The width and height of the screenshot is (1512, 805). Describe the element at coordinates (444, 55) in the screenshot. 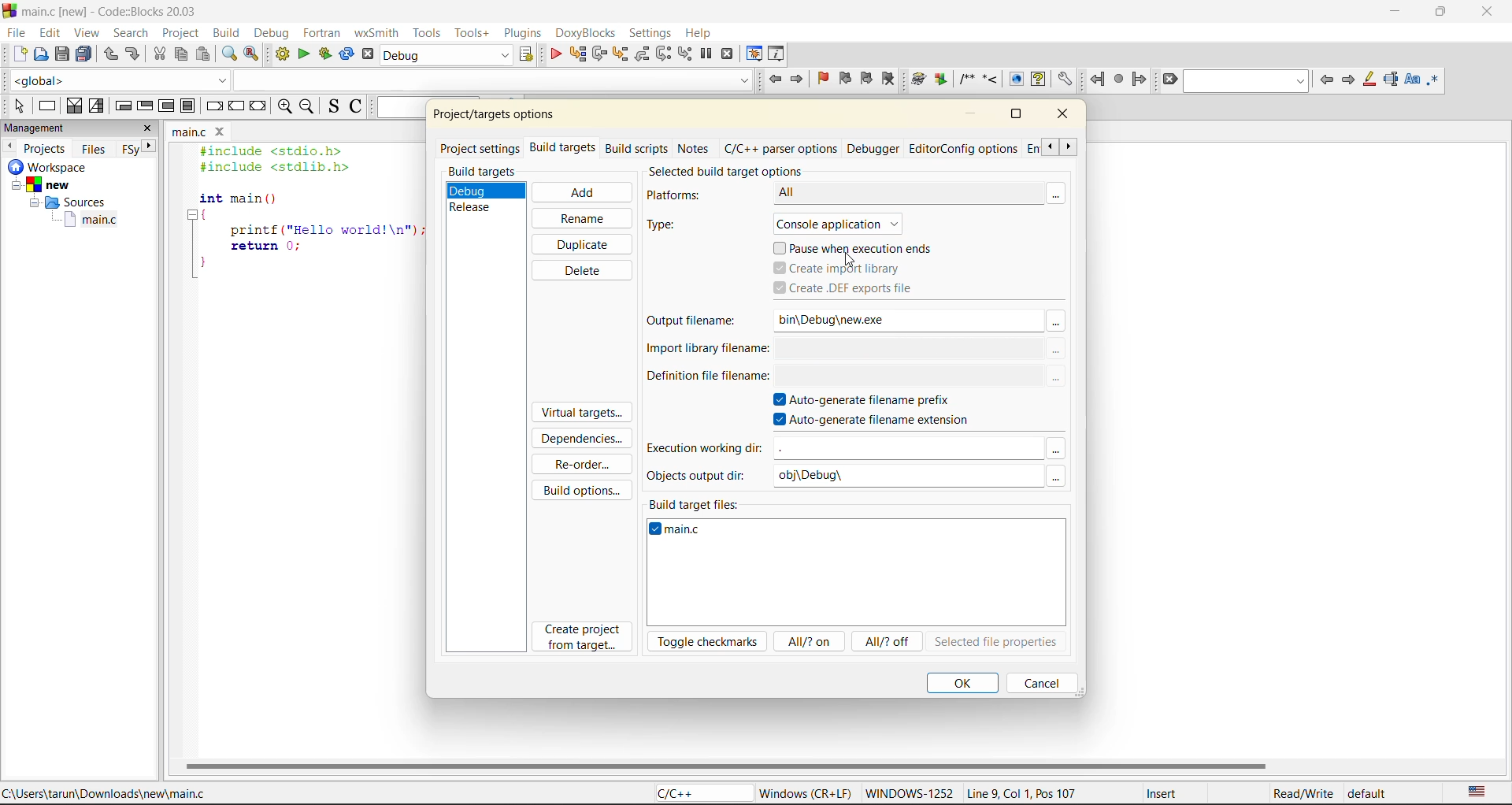

I see `build target` at that location.